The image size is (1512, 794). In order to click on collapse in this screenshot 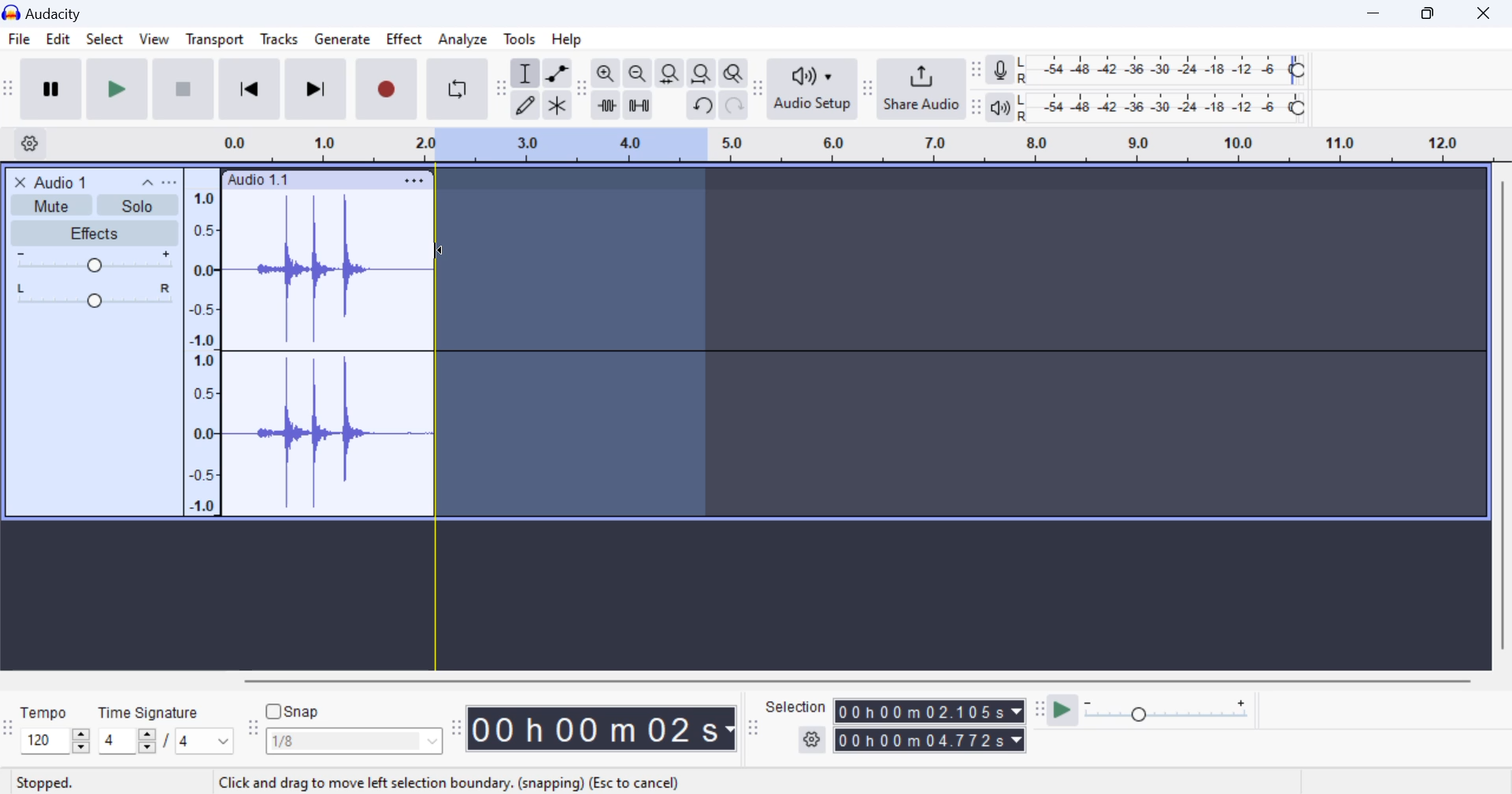, I will do `click(146, 181)`.